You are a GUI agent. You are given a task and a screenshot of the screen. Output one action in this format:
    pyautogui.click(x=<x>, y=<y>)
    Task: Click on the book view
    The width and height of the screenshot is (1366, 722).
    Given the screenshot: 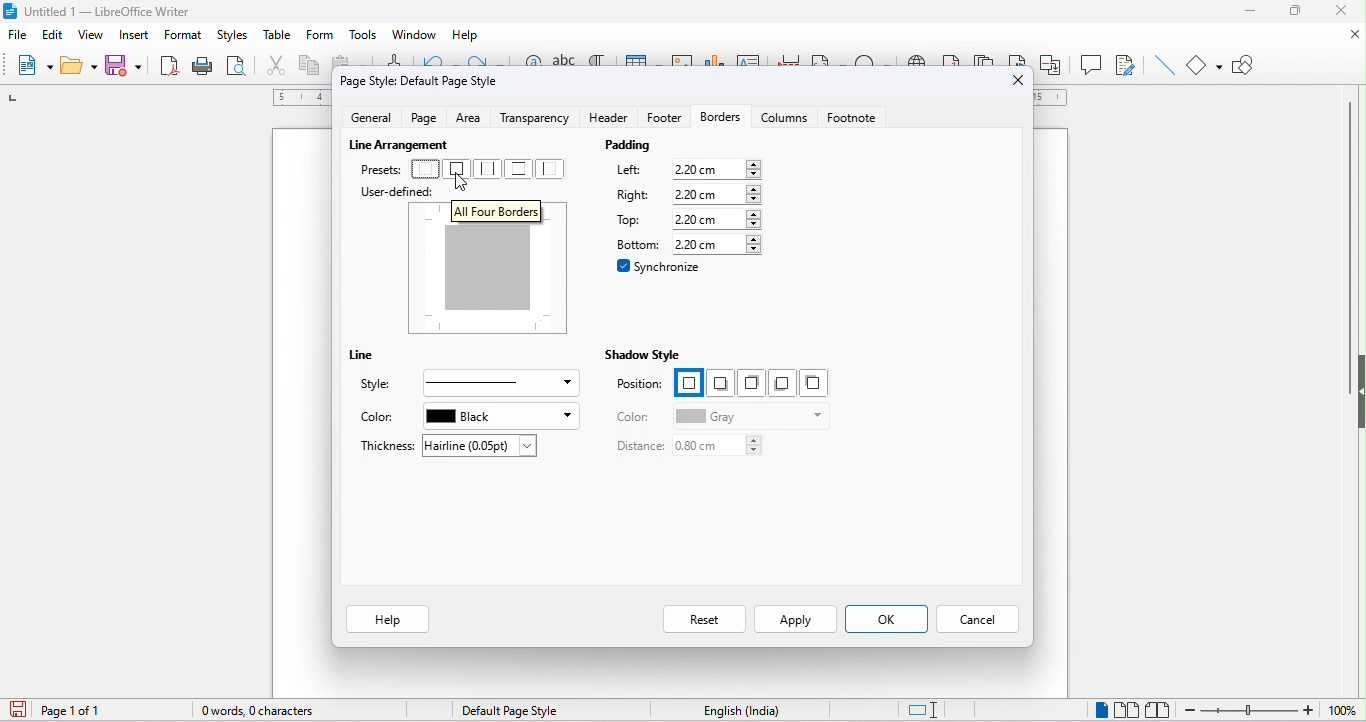 What is the action you would take?
    pyautogui.click(x=1162, y=708)
    